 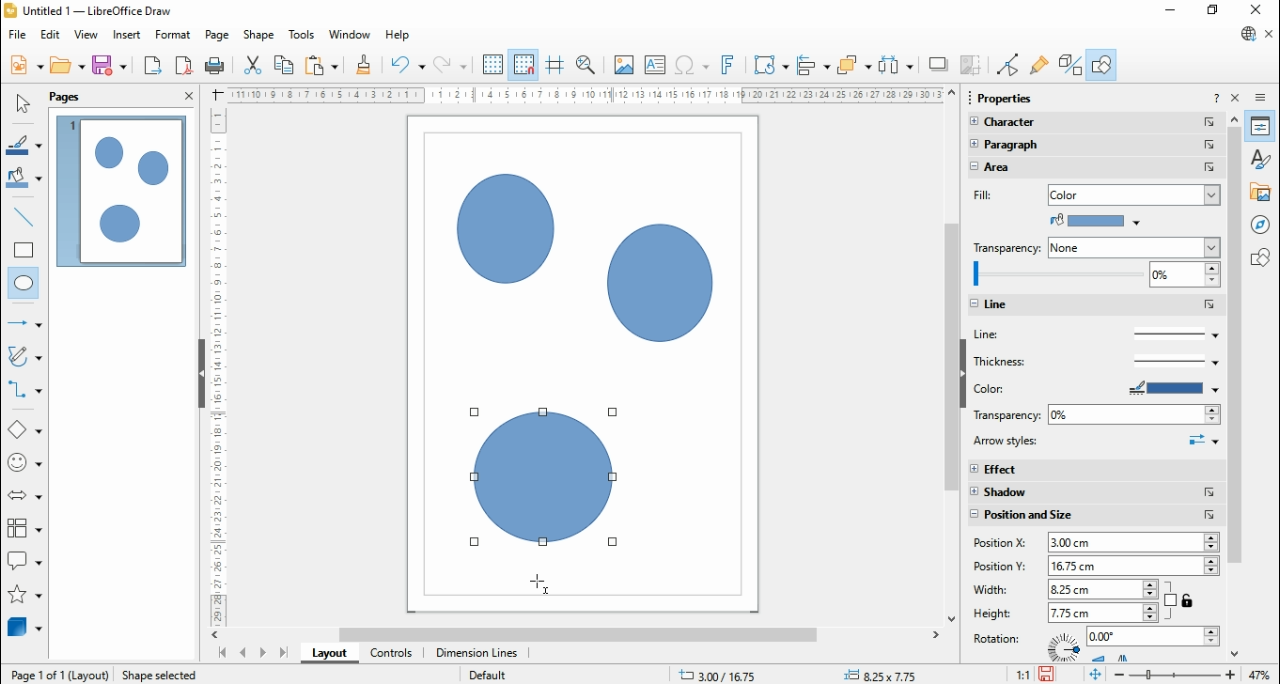 I want to click on first page, so click(x=221, y=654).